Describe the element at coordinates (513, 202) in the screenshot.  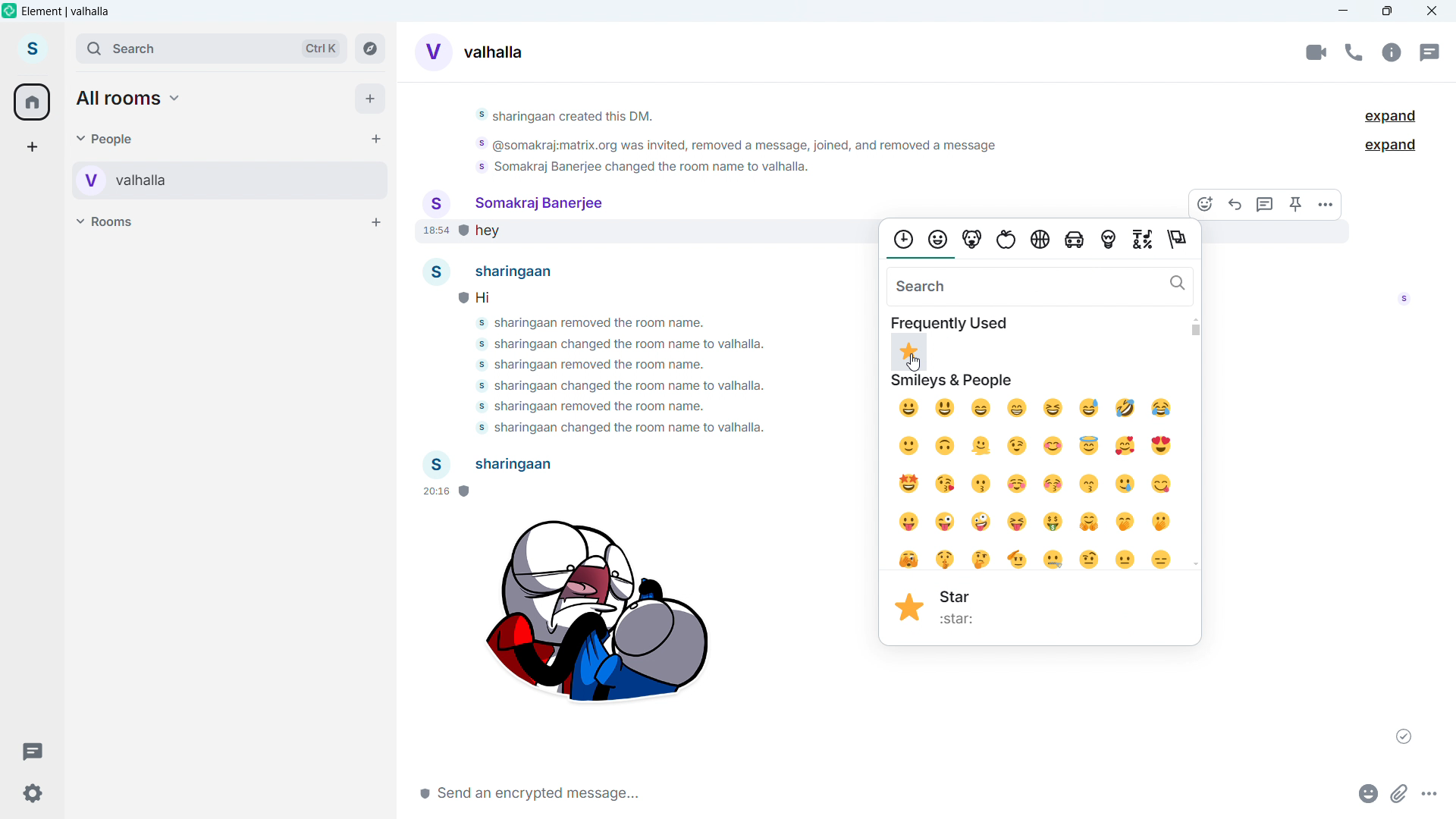
I see `Somakraj Banerjee` at that location.